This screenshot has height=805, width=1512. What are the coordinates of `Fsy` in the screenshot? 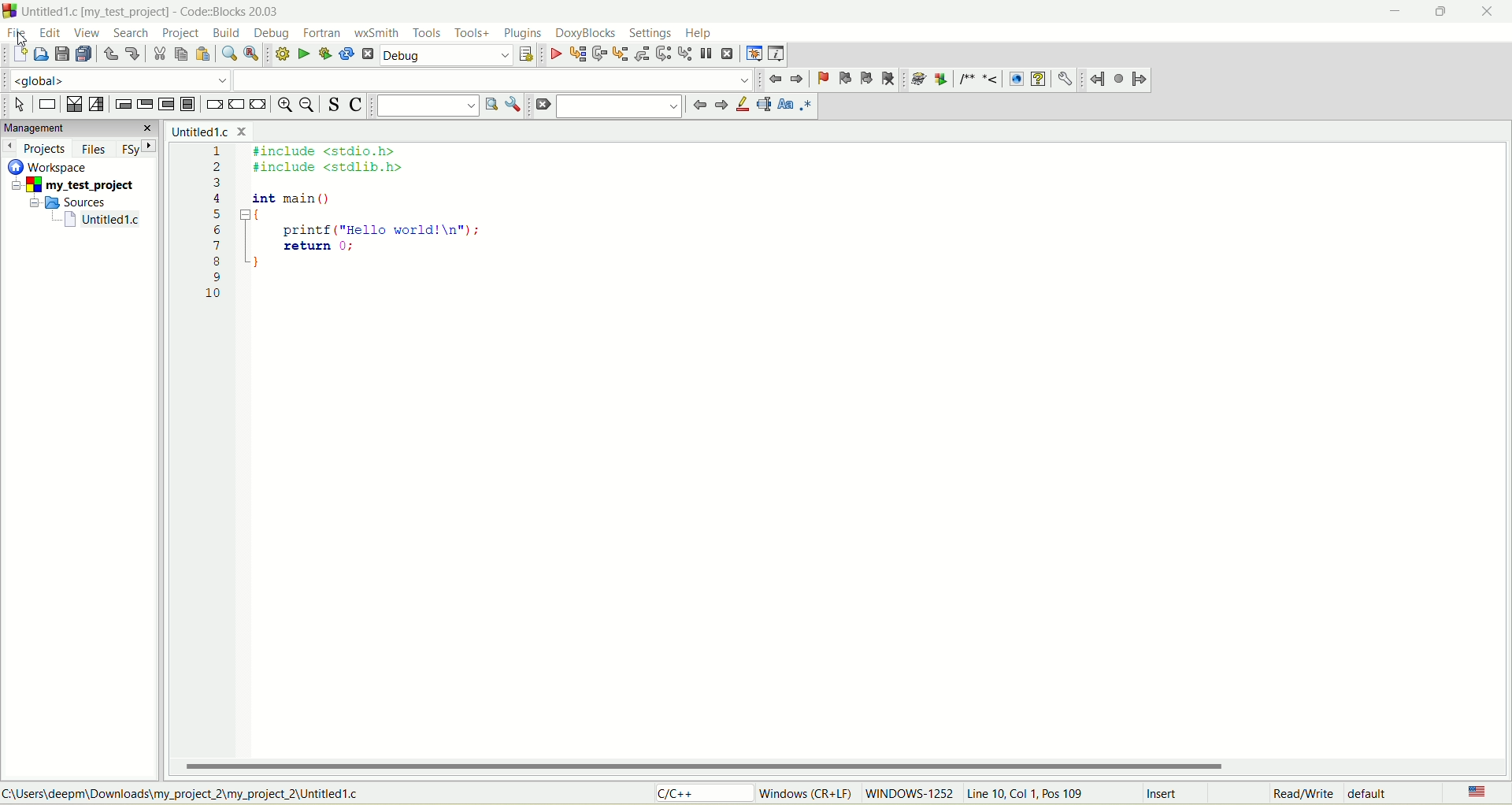 It's located at (138, 147).